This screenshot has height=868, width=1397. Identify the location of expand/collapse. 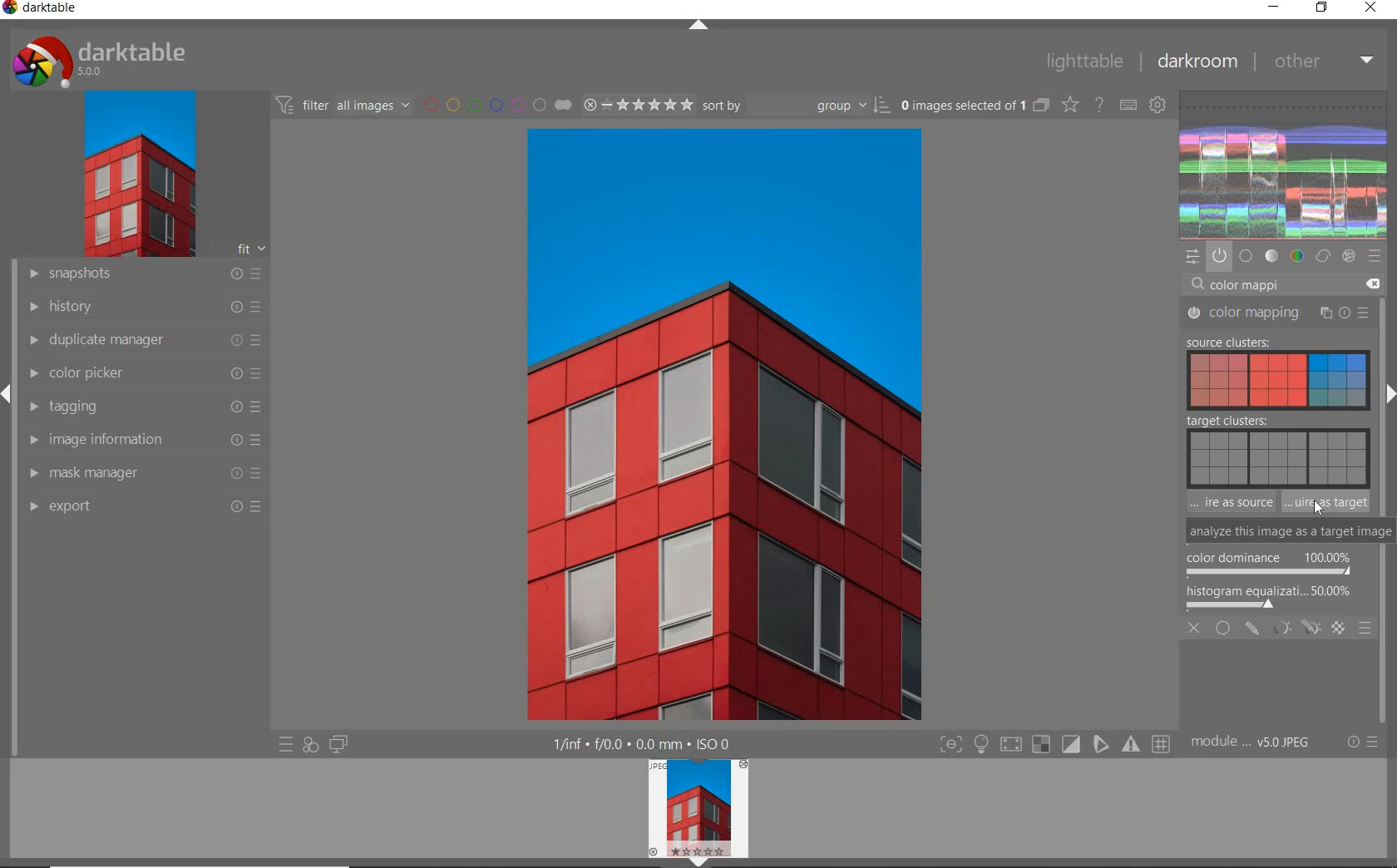
(698, 24).